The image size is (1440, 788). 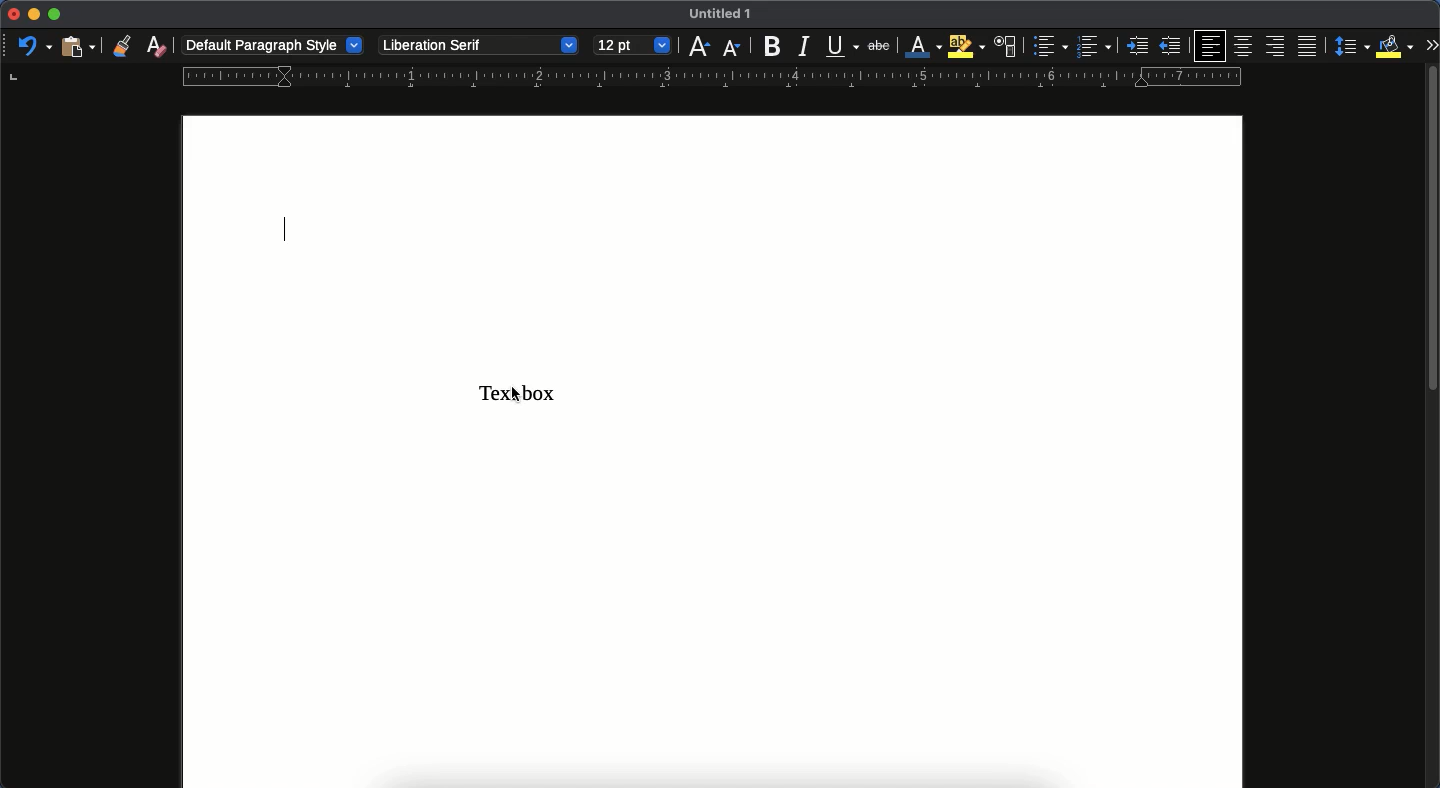 What do you see at coordinates (967, 46) in the screenshot?
I see `highlight color` at bounding box center [967, 46].